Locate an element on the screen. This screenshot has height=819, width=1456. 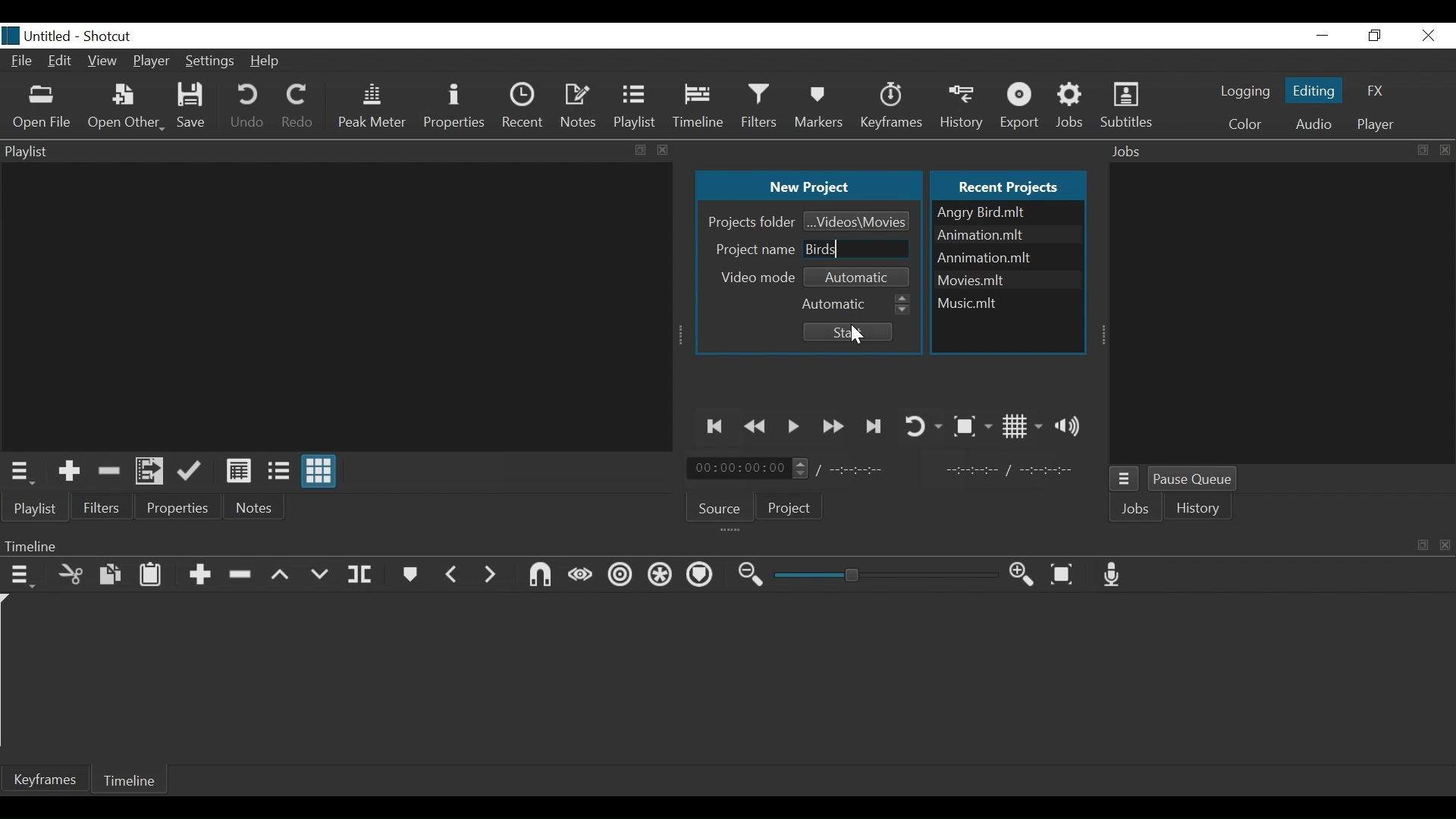
Automatic is located at coordinates (861, 275).